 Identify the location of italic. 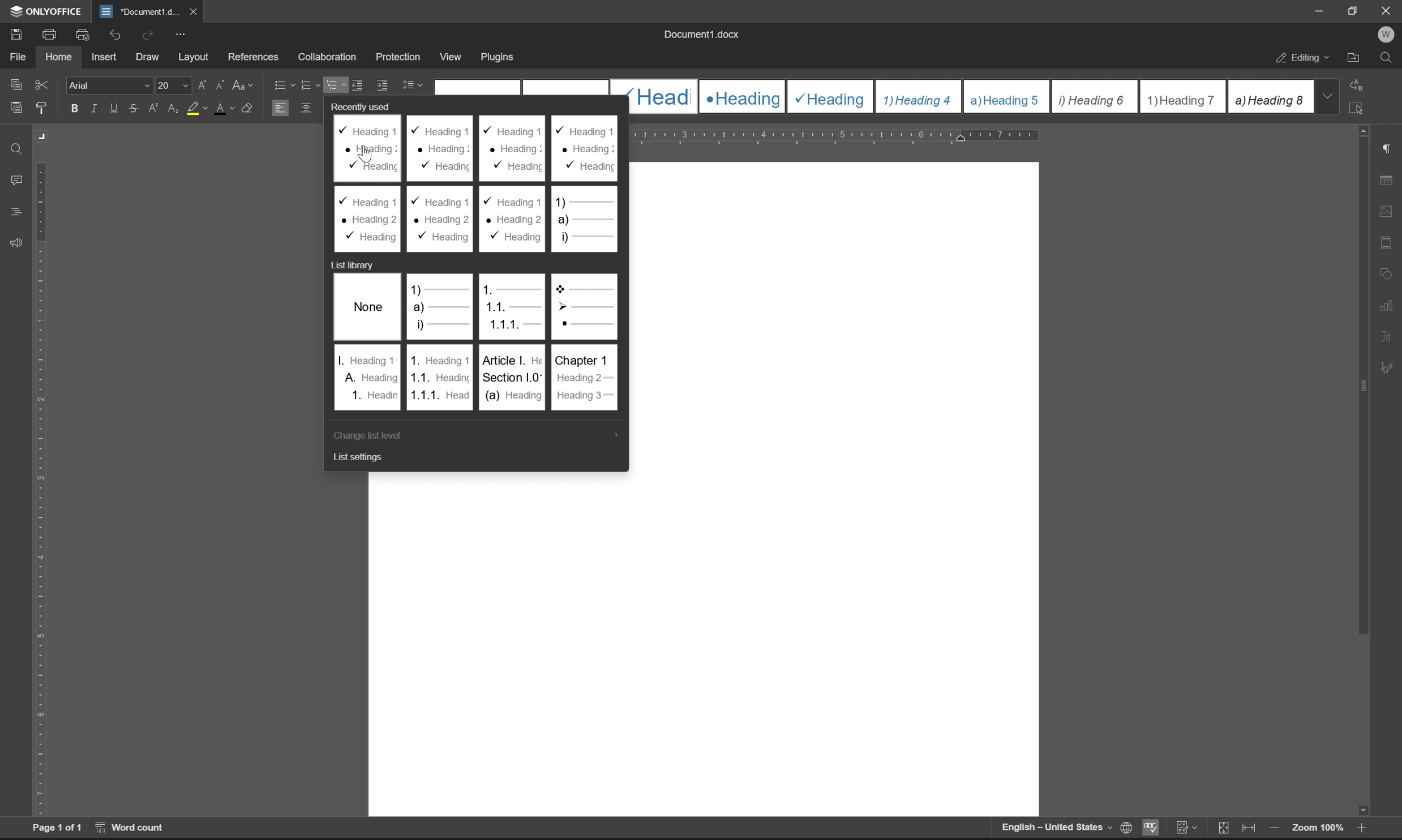
(96, 108).